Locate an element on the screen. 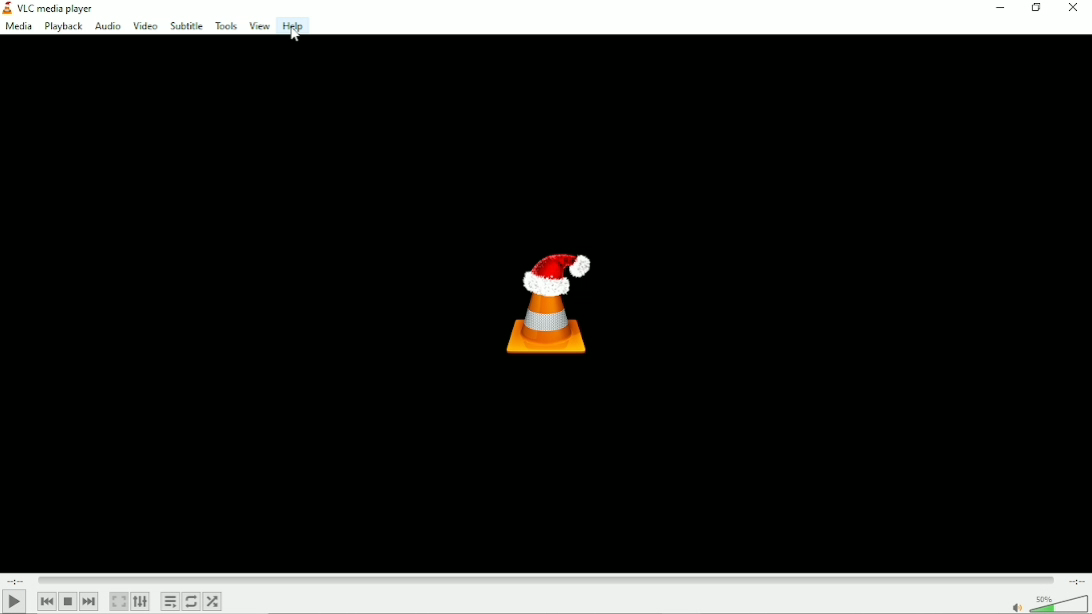 Image resolution: width=1092 pixels, height=614 pixels. Help is located at coordinates (293, 26).